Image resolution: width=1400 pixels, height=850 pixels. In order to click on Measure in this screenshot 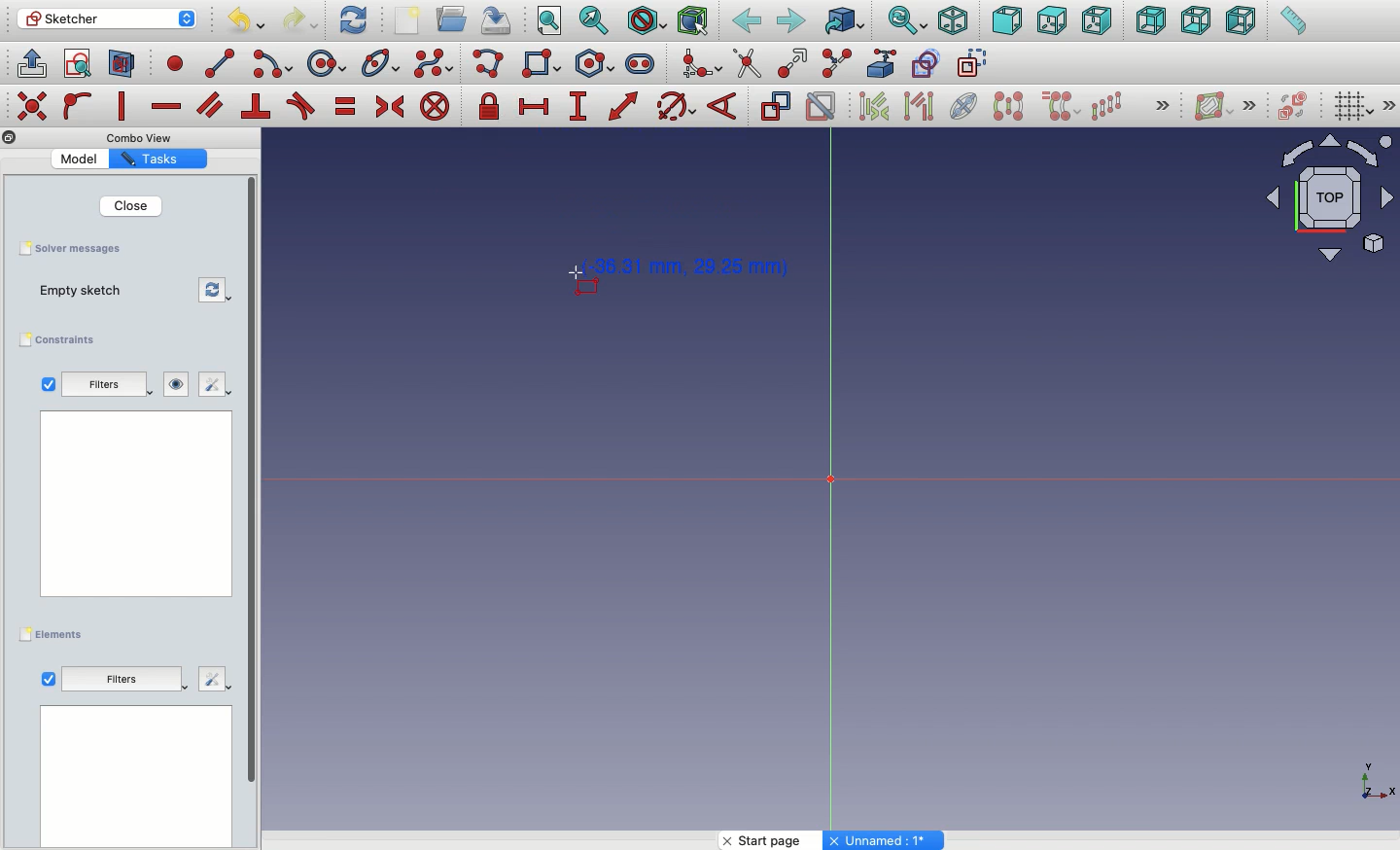, I will do `click(1292, 22)`.